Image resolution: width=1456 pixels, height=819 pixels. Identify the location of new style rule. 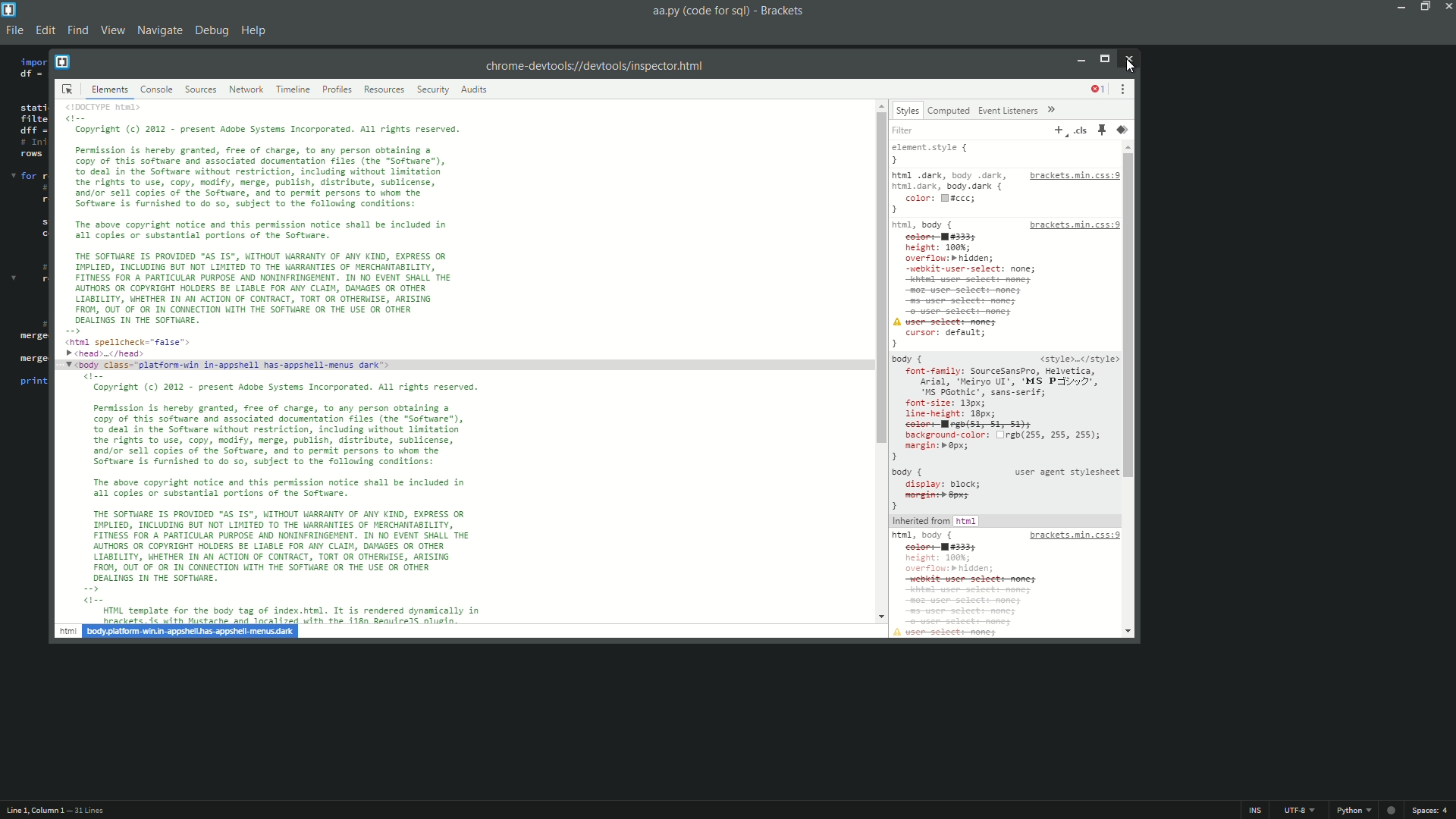
(1058, 130).